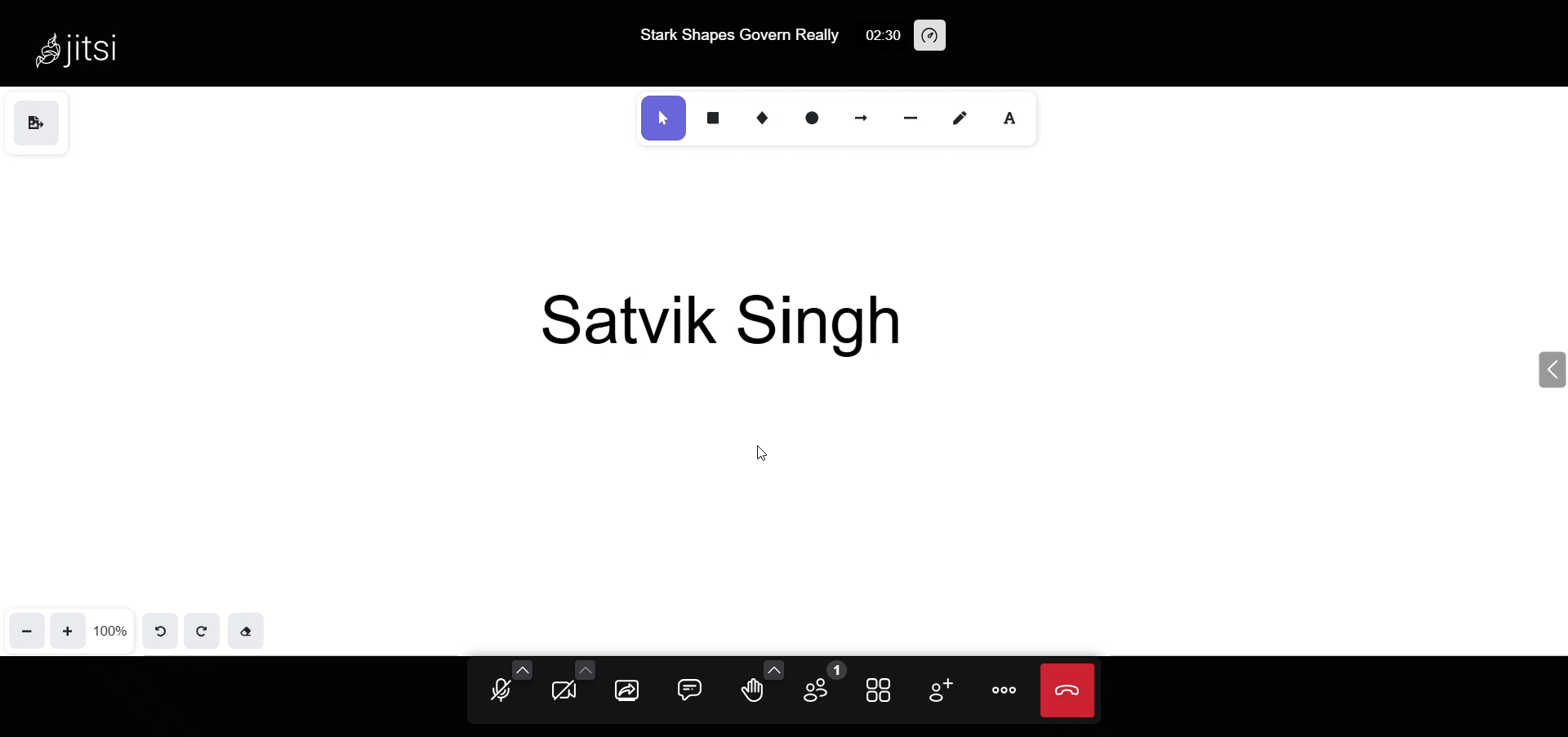 The image size is (1568, 737). I want to click on raise hand, so click(751, 694).